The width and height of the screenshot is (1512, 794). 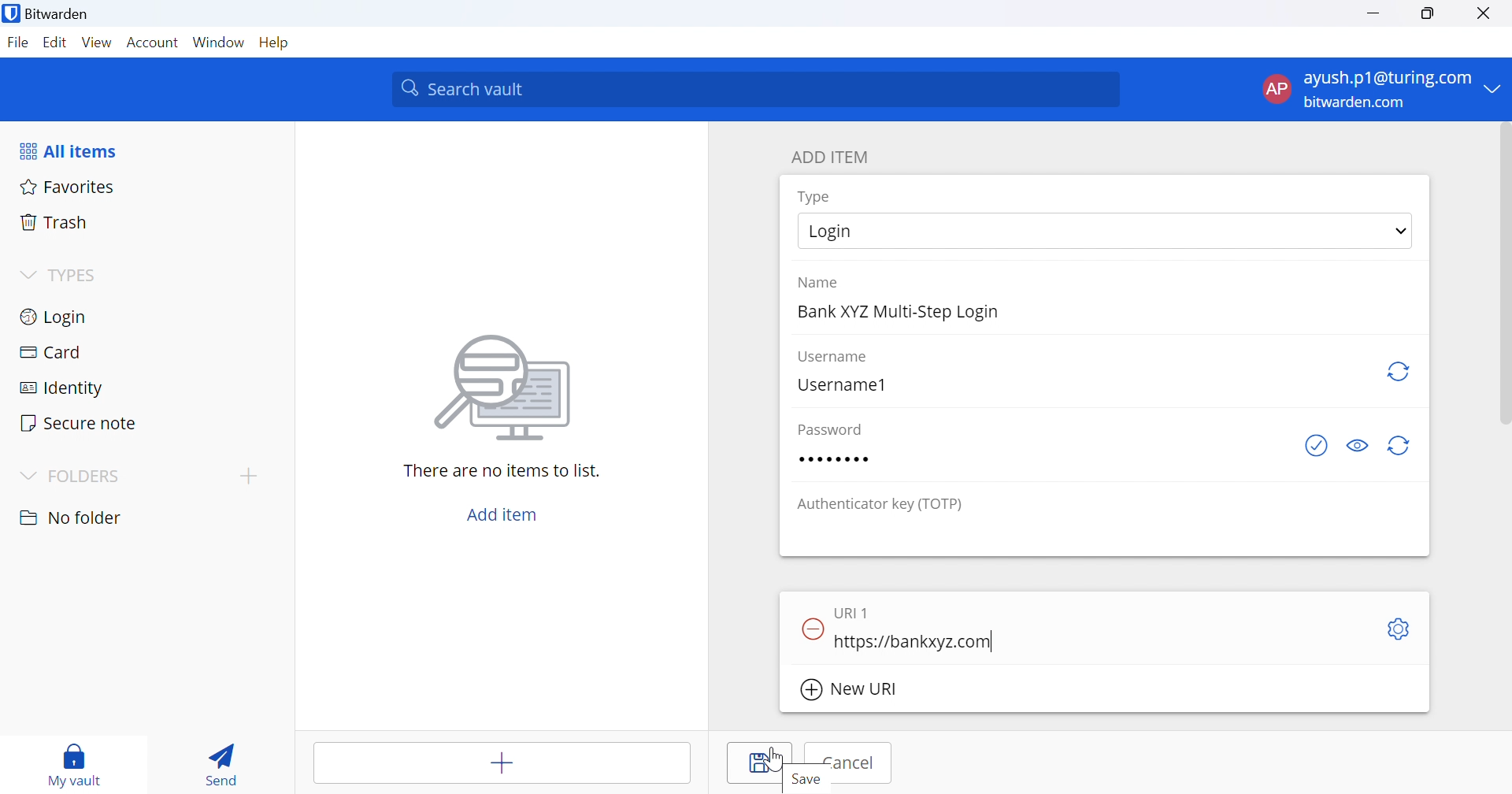 What do you see at coordinates (505, 388) in the screenshot?
I see `Image` at bounding box center [505, 388].